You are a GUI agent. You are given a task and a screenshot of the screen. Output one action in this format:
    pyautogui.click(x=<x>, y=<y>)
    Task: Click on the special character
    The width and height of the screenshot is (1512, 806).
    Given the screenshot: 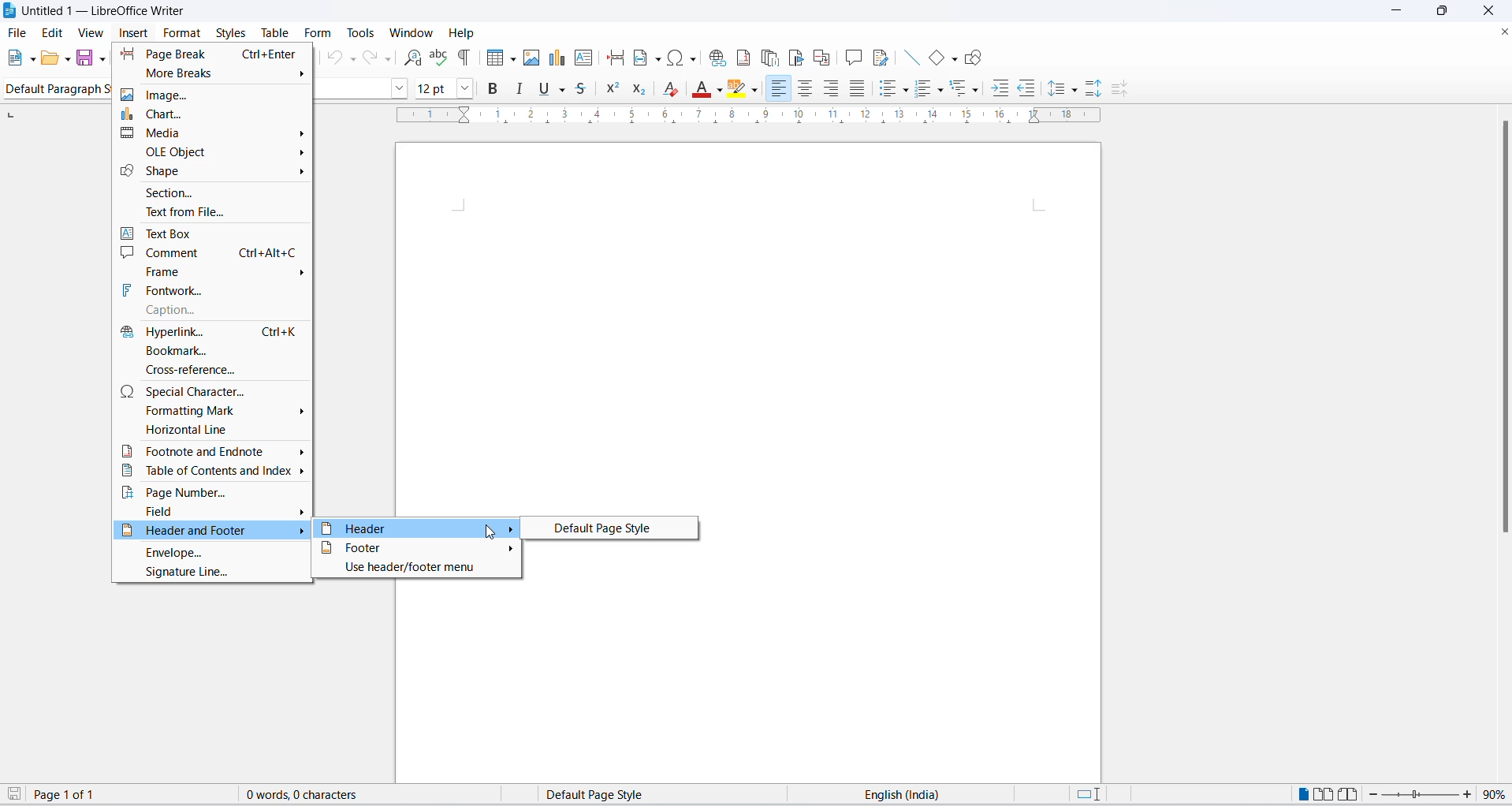 What is the action you would take?
    pyautogui.click(x=212, y=390)
    